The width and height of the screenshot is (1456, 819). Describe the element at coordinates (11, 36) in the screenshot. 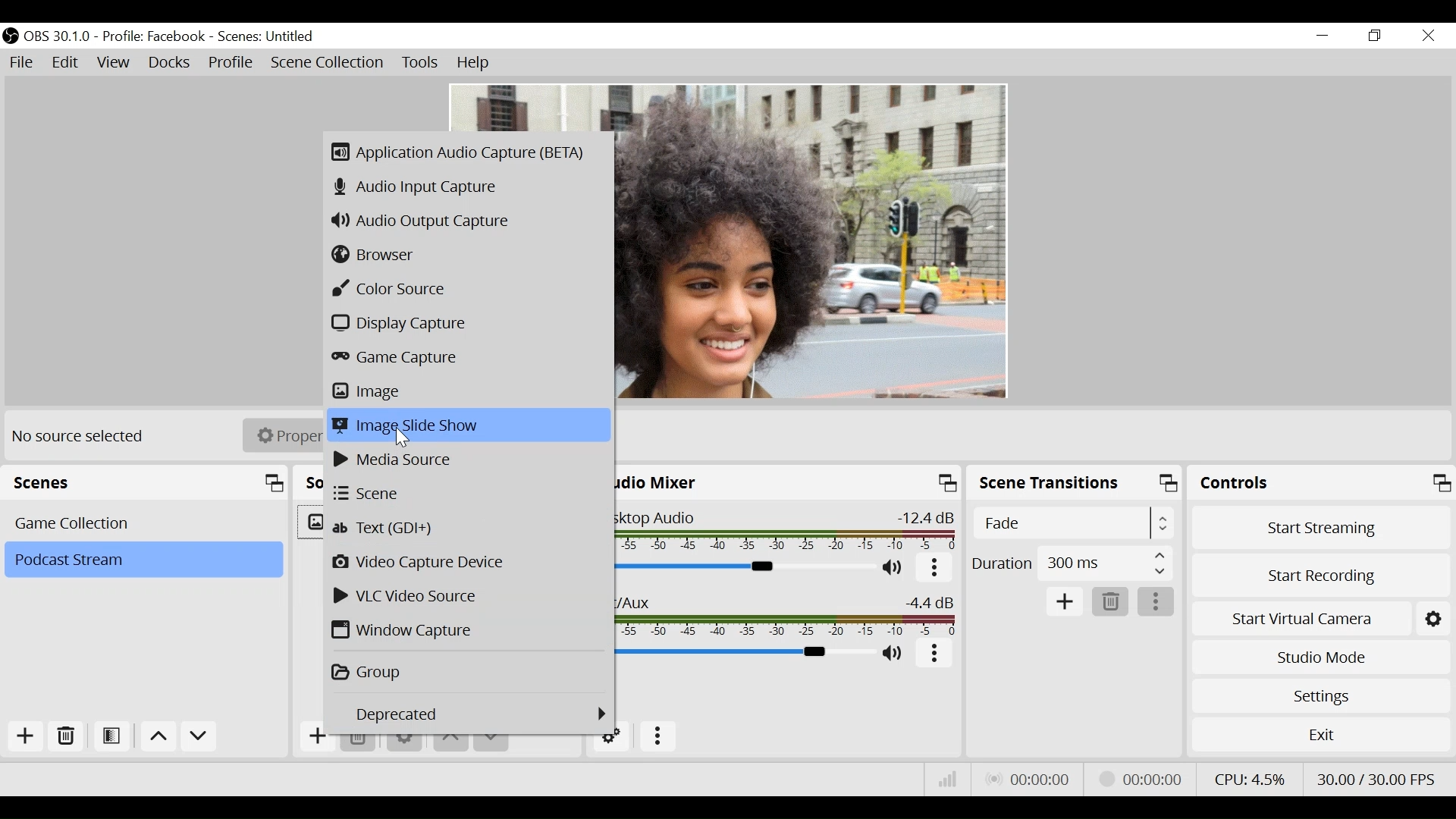

I see `OBS Desktop Icon` at that location.